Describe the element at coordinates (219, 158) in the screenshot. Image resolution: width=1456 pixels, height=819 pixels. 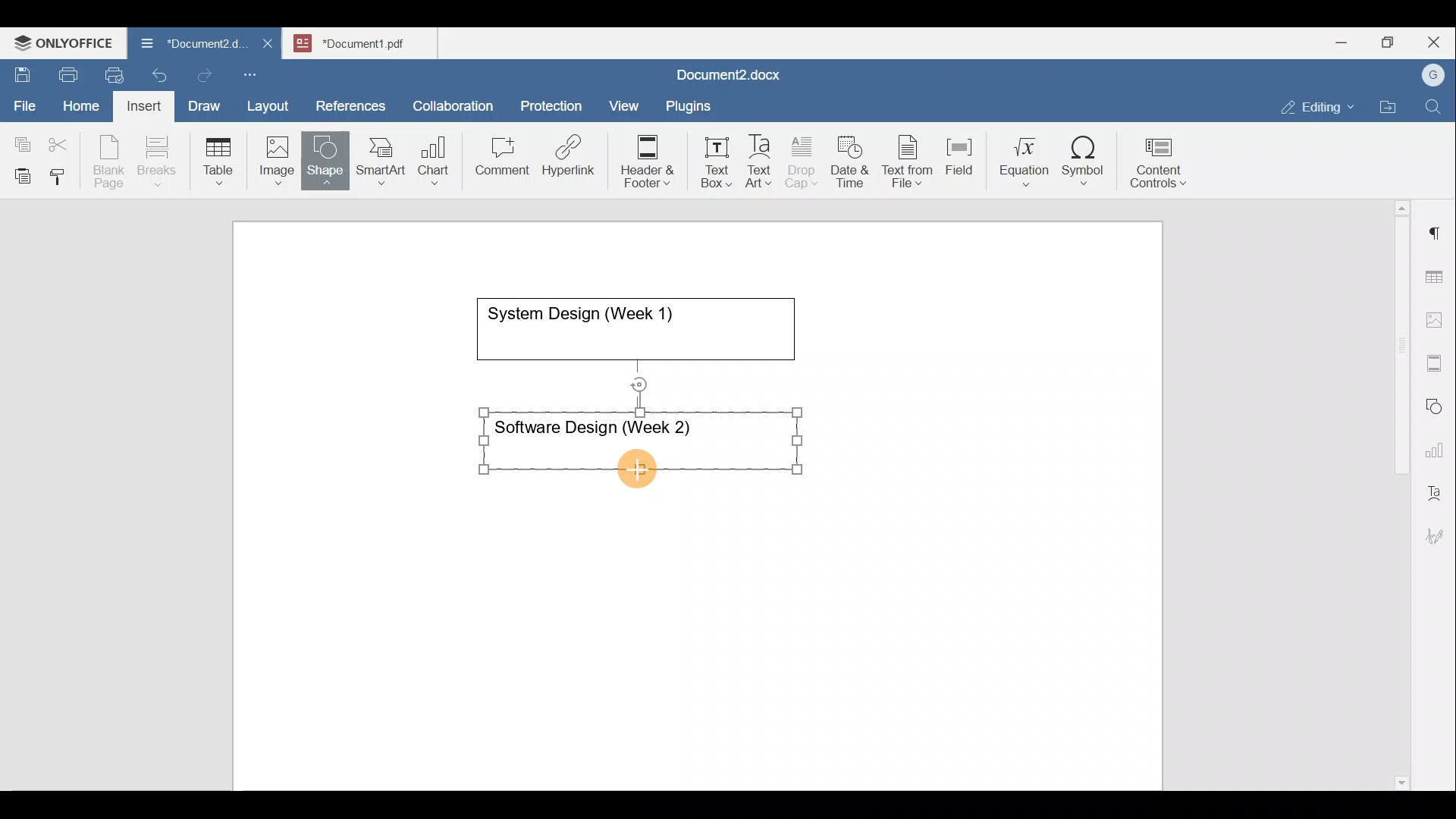
I see `Table` at that location.